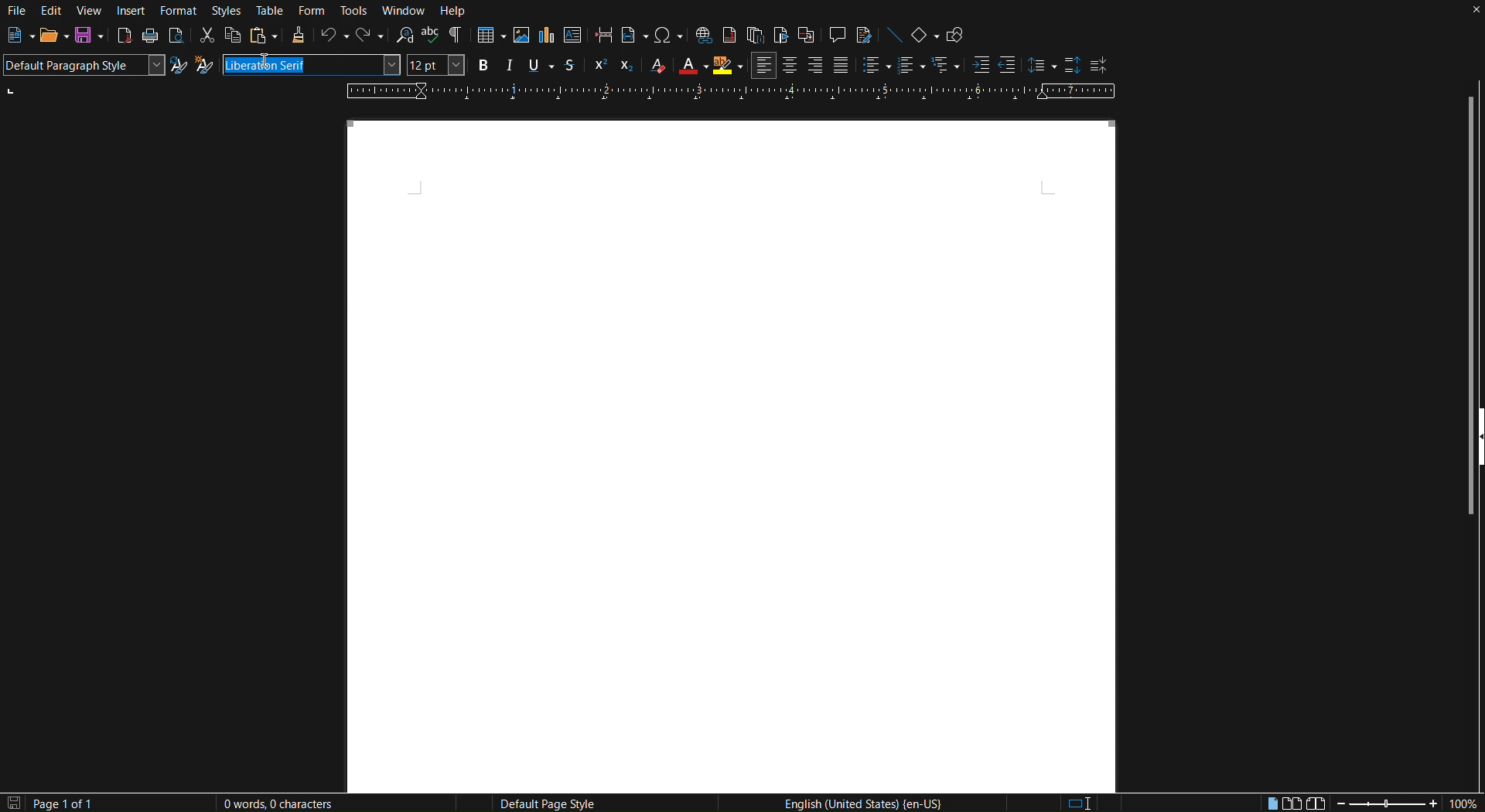  I want to click on Insert Line, so click(895, 38).